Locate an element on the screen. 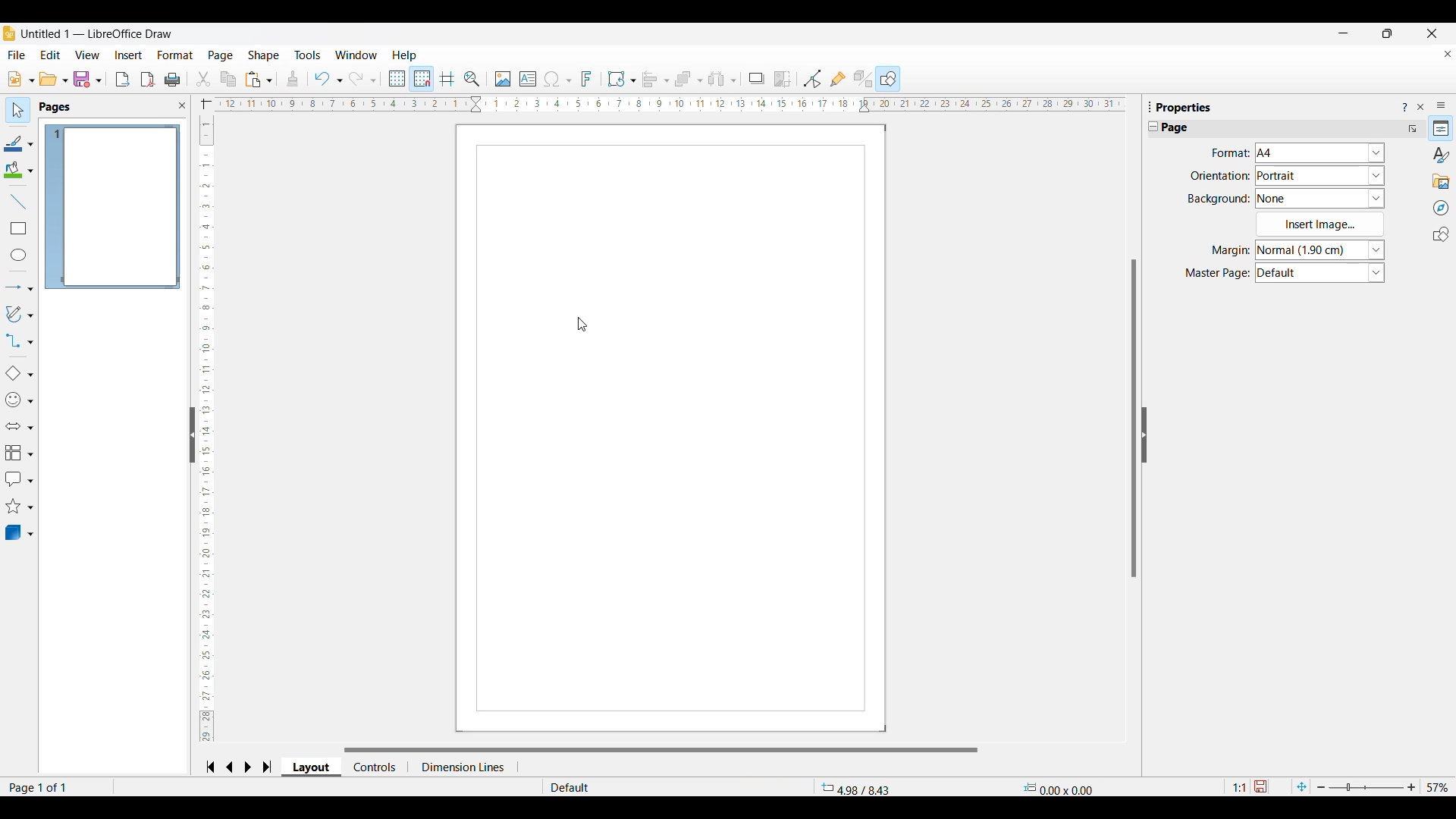 This screenshot has height=819, width=1456. Undo is located at coordinates (328, 79).